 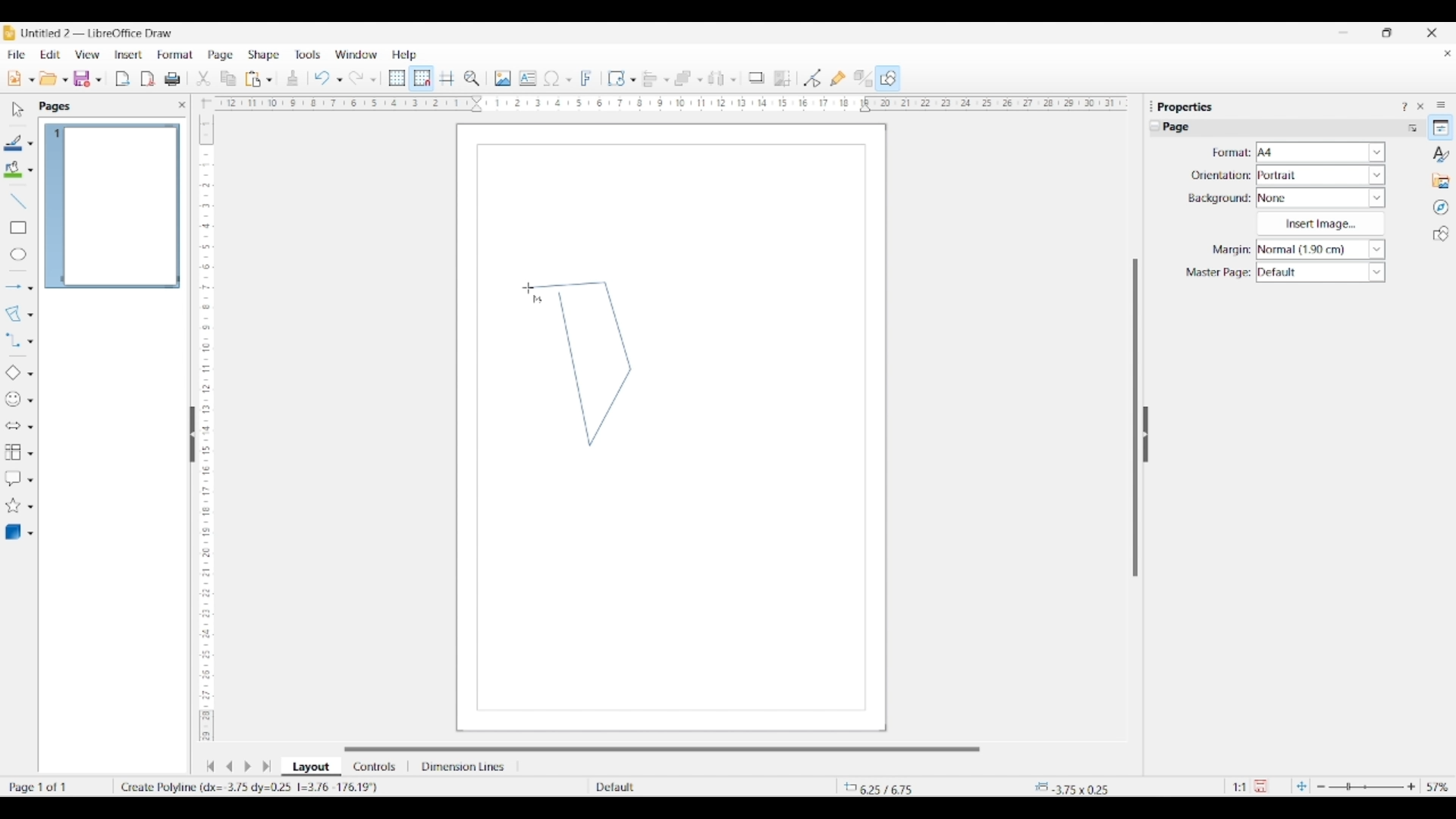 I want to click on Insert image, so click(x=503, y=78).